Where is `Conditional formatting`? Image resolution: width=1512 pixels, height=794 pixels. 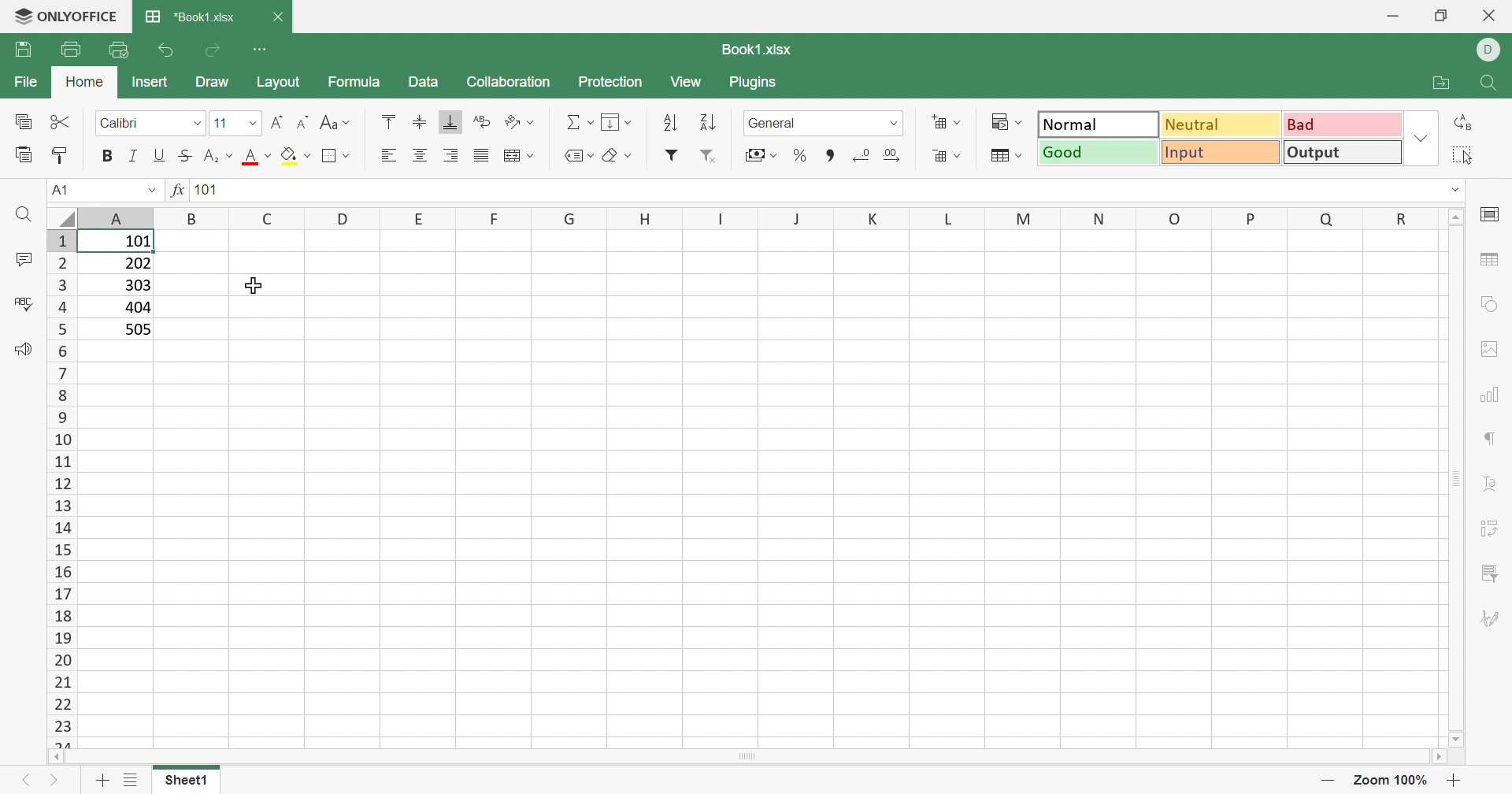
Conditional formatting is located at coordinates (1009, 123).